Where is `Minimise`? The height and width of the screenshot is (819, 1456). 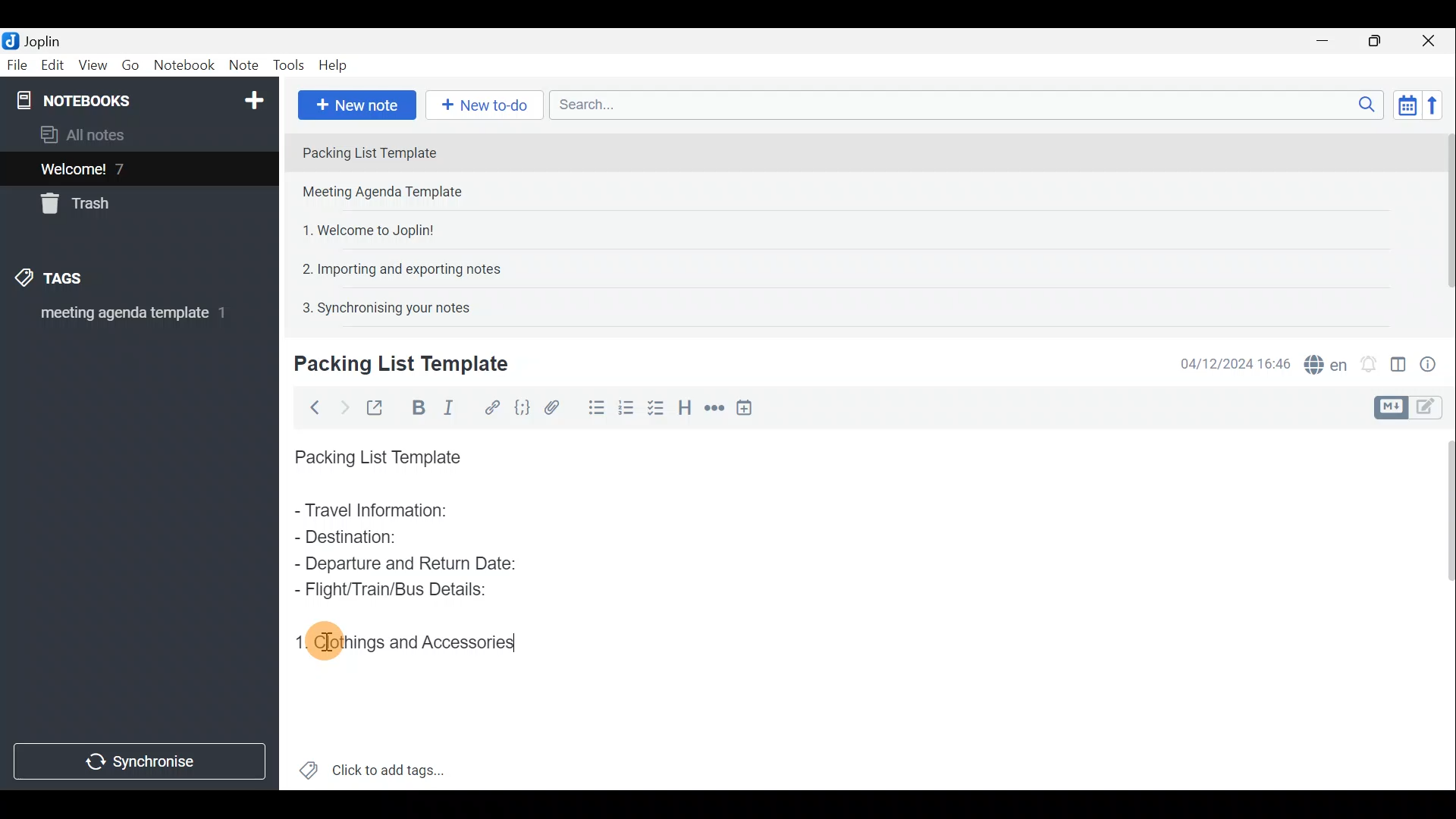 Minimise is located at coordinates (1330, 43).